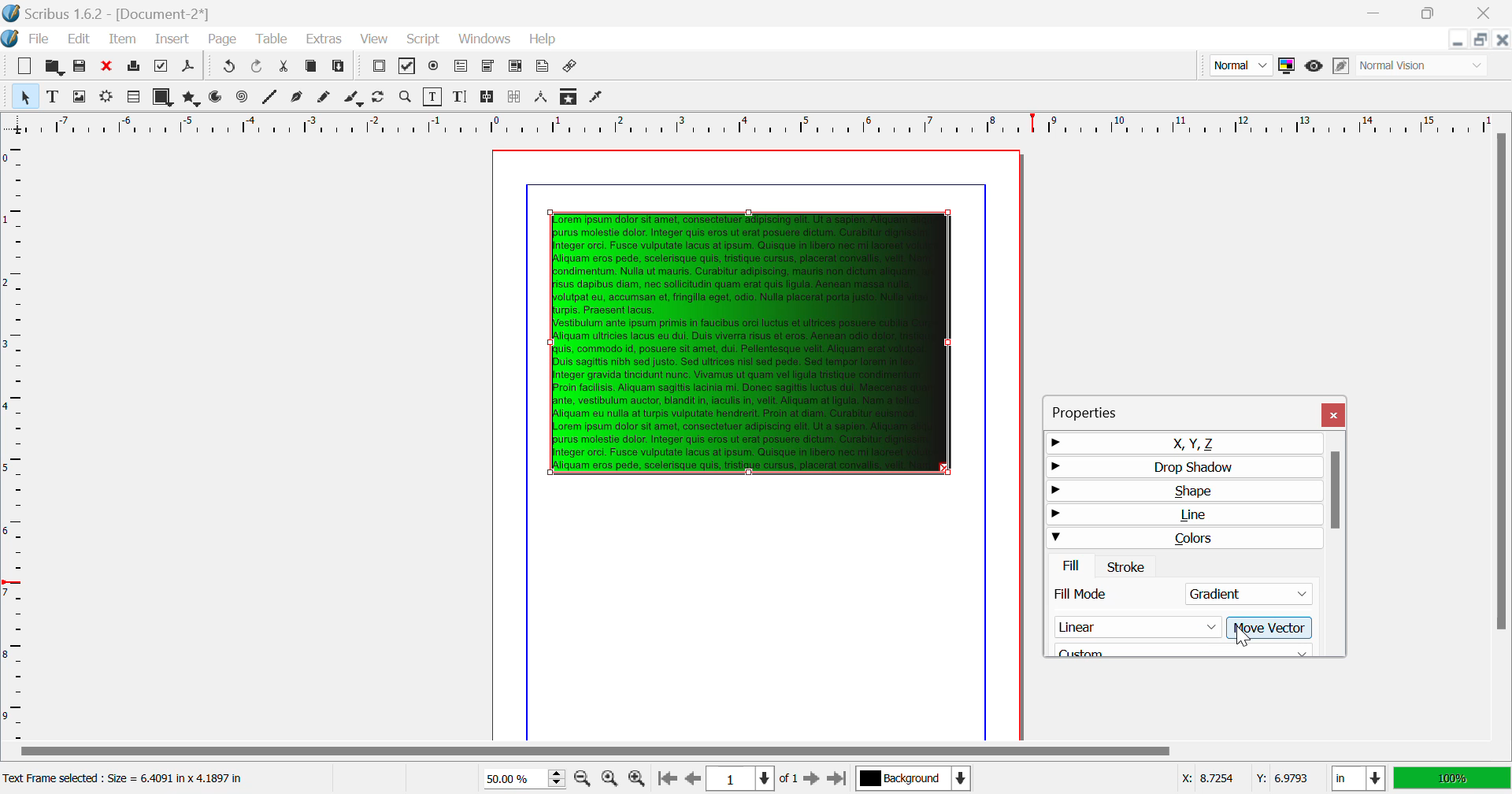 This screenshot has width=1512, height=794. I want to click on Redo, so click(227, 68).